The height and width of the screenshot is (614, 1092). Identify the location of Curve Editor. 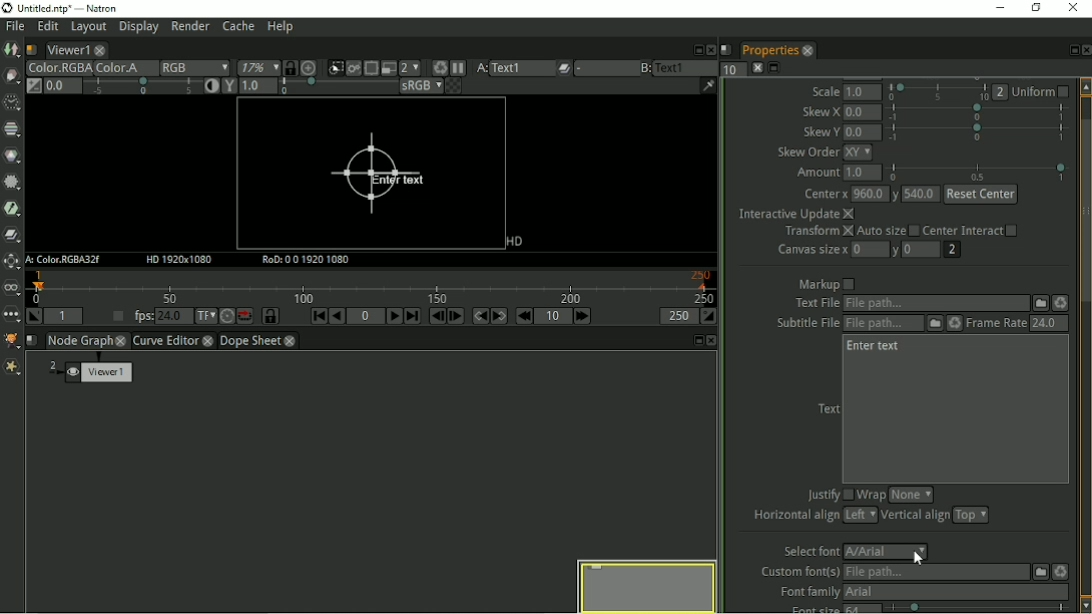
(165, 342).